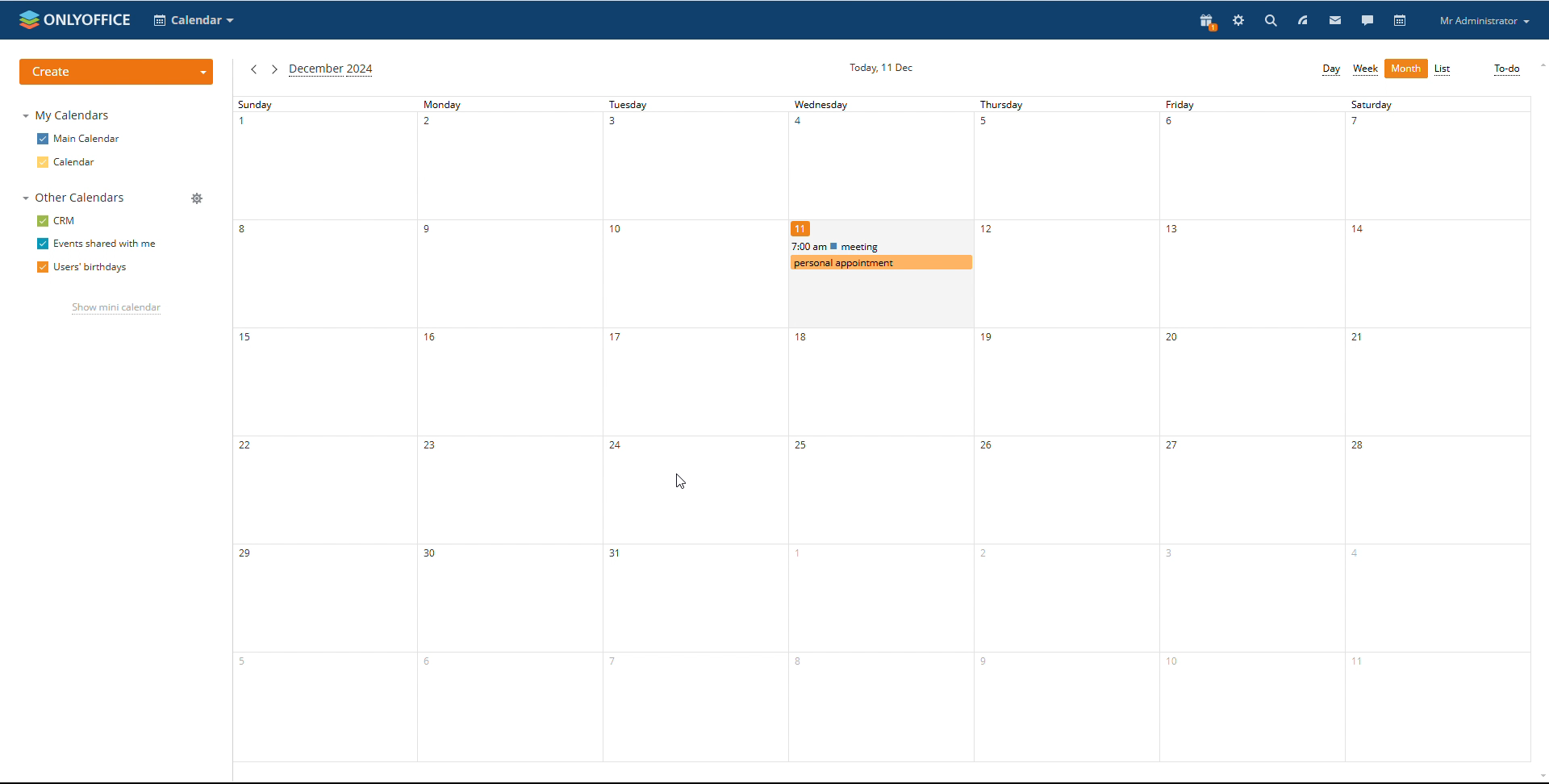 The image size is (1549, 784). Describe the element at coordinates (695, 154) in the screenshot. I see `tuesday` at that location.